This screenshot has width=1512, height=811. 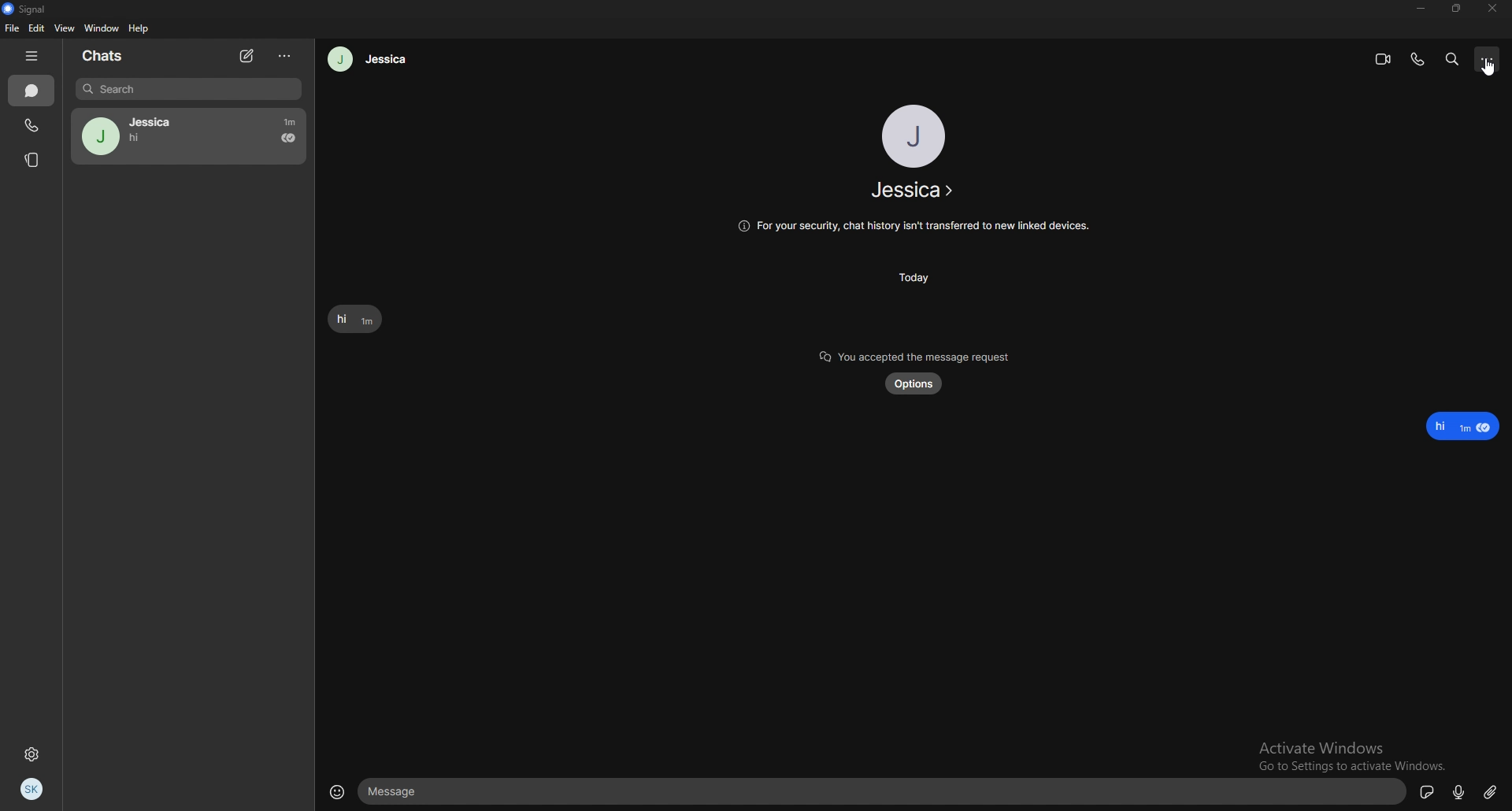 I want to click on stickers, so click(x=1428, y=791).